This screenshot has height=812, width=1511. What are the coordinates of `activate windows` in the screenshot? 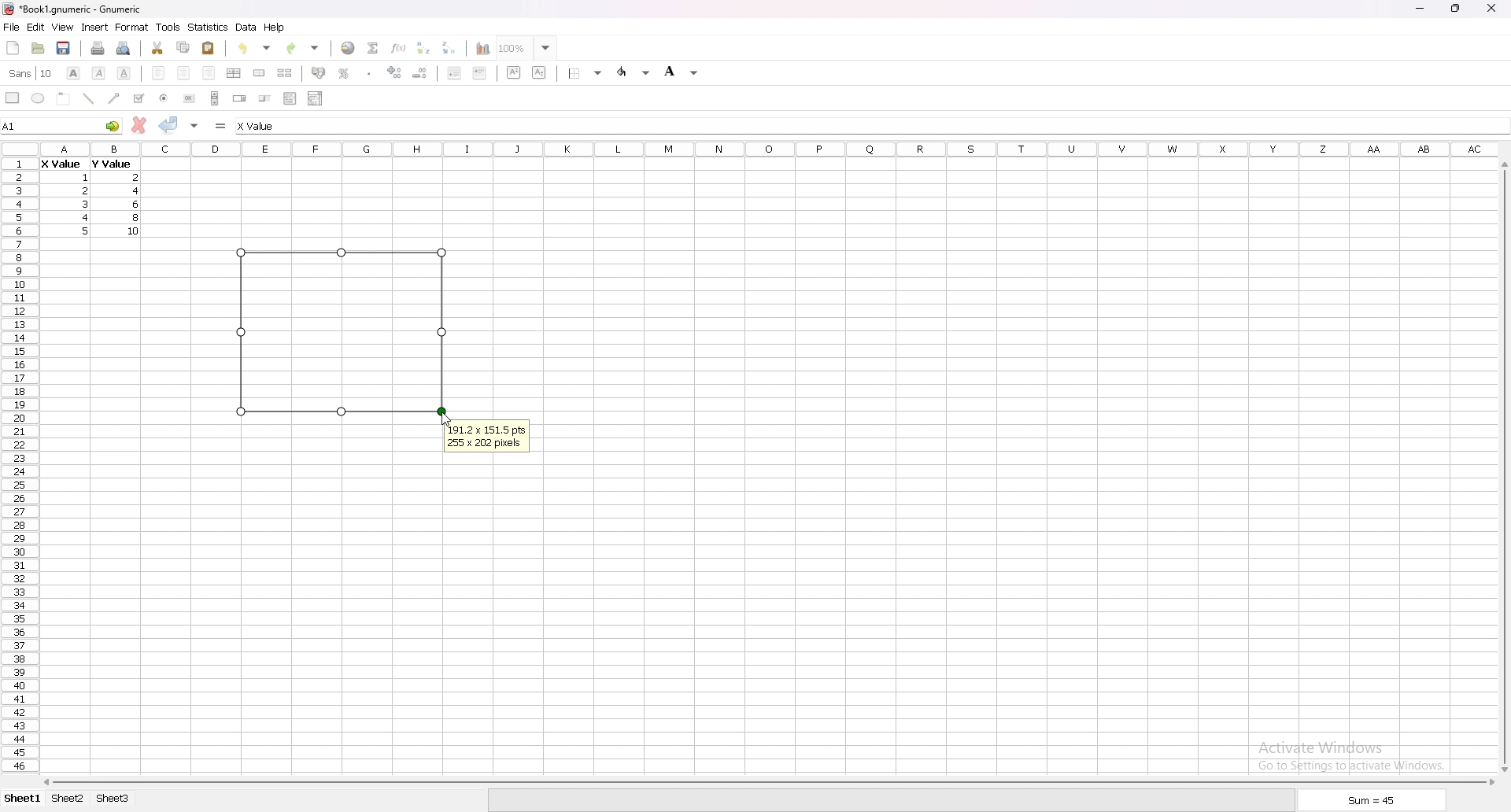 It's located at (1357, 754).